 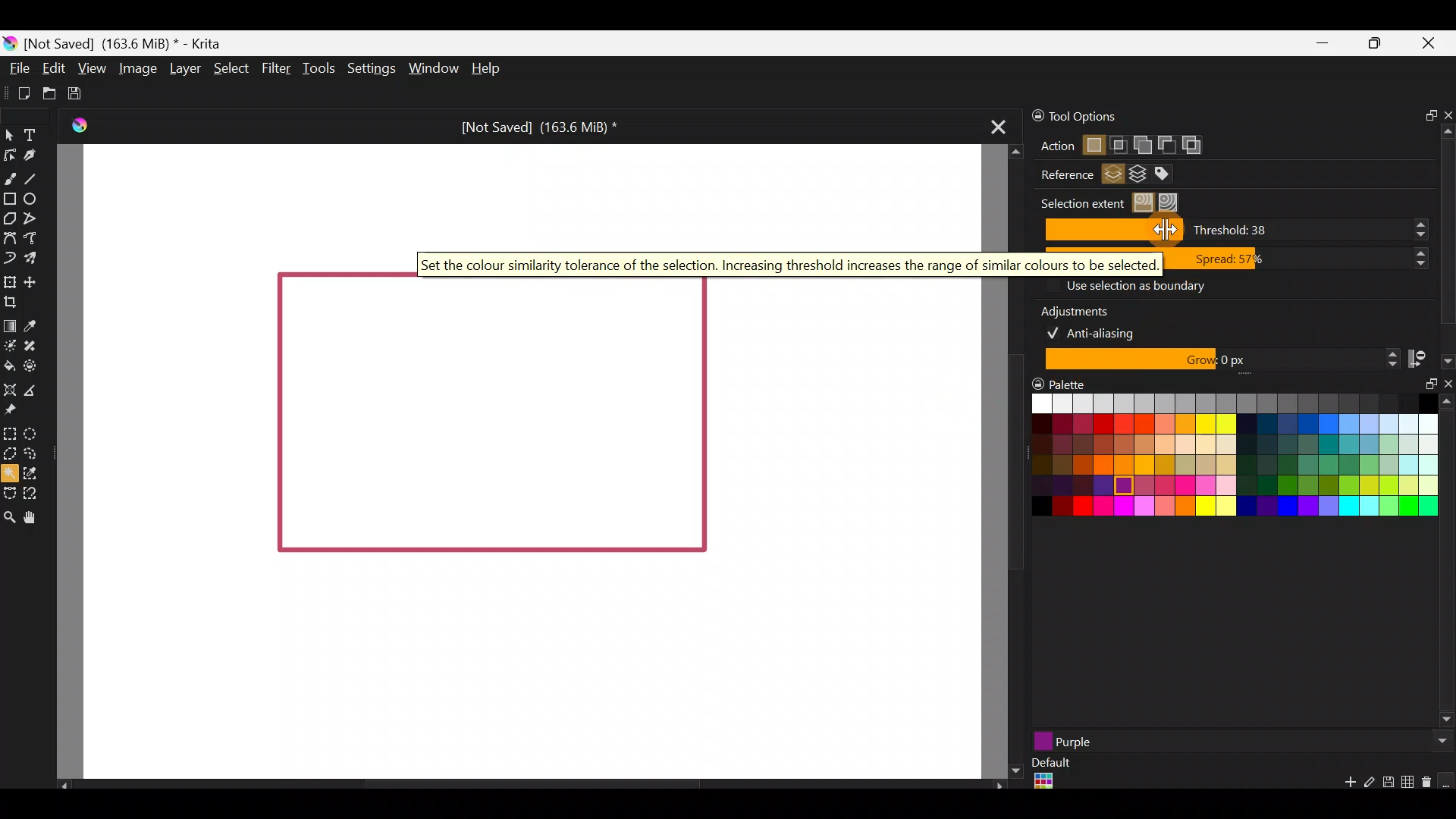 What do you see at coordinates (34, 219) in the screenshot?
I see `Polyline tool` at bounding box center [34, 219].